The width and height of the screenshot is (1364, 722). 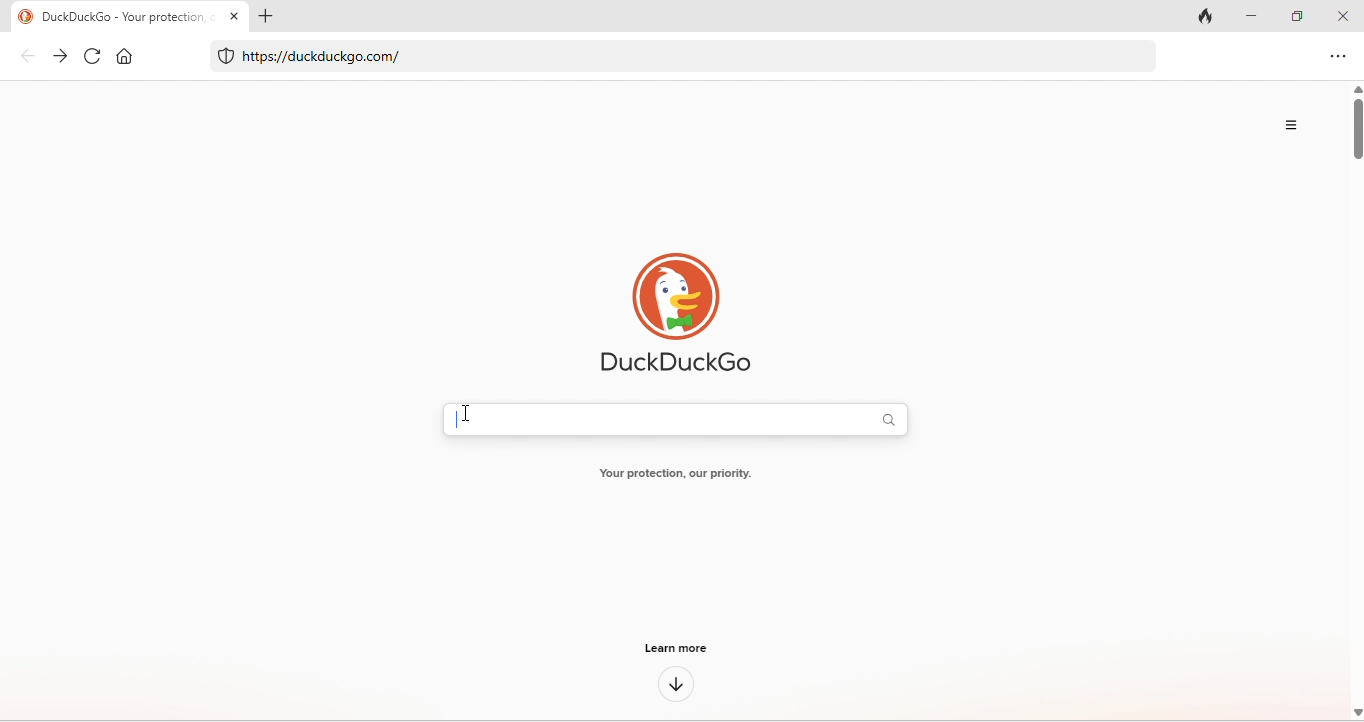 I want to click on option, so click(x=1335, y=58).